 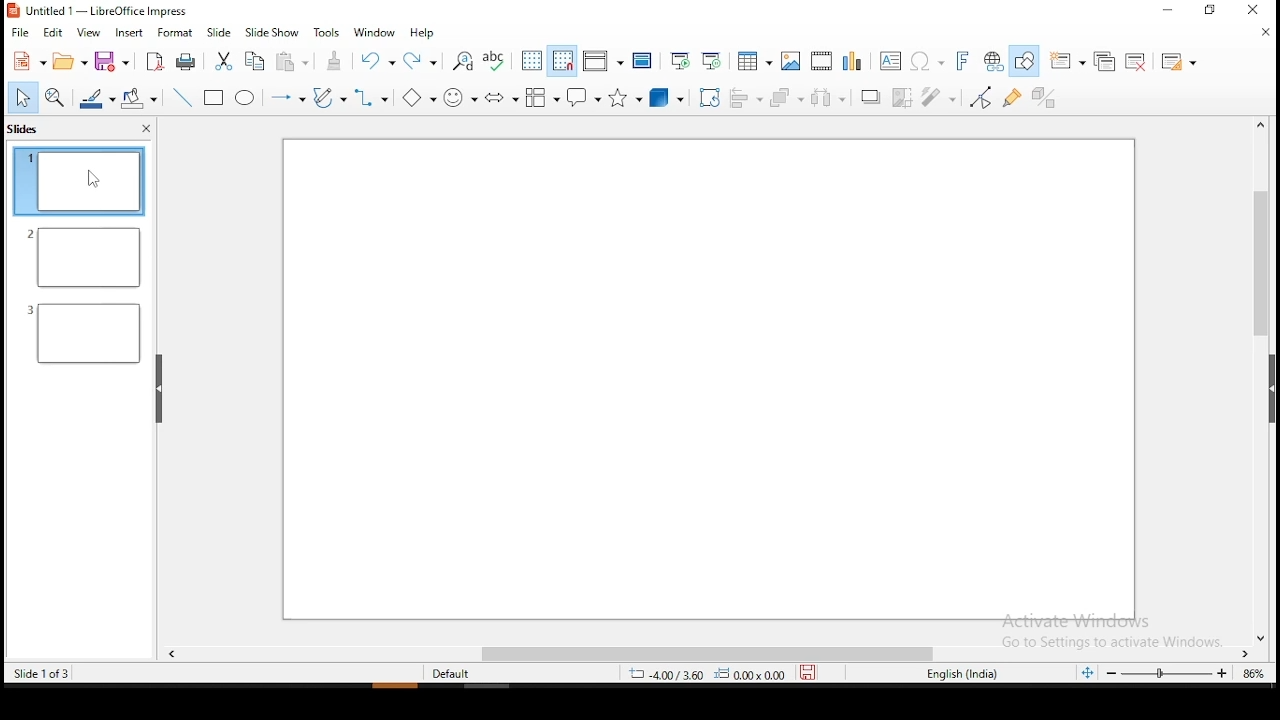 I want to click on slide 1 of 3, so click(x=39, y=673).